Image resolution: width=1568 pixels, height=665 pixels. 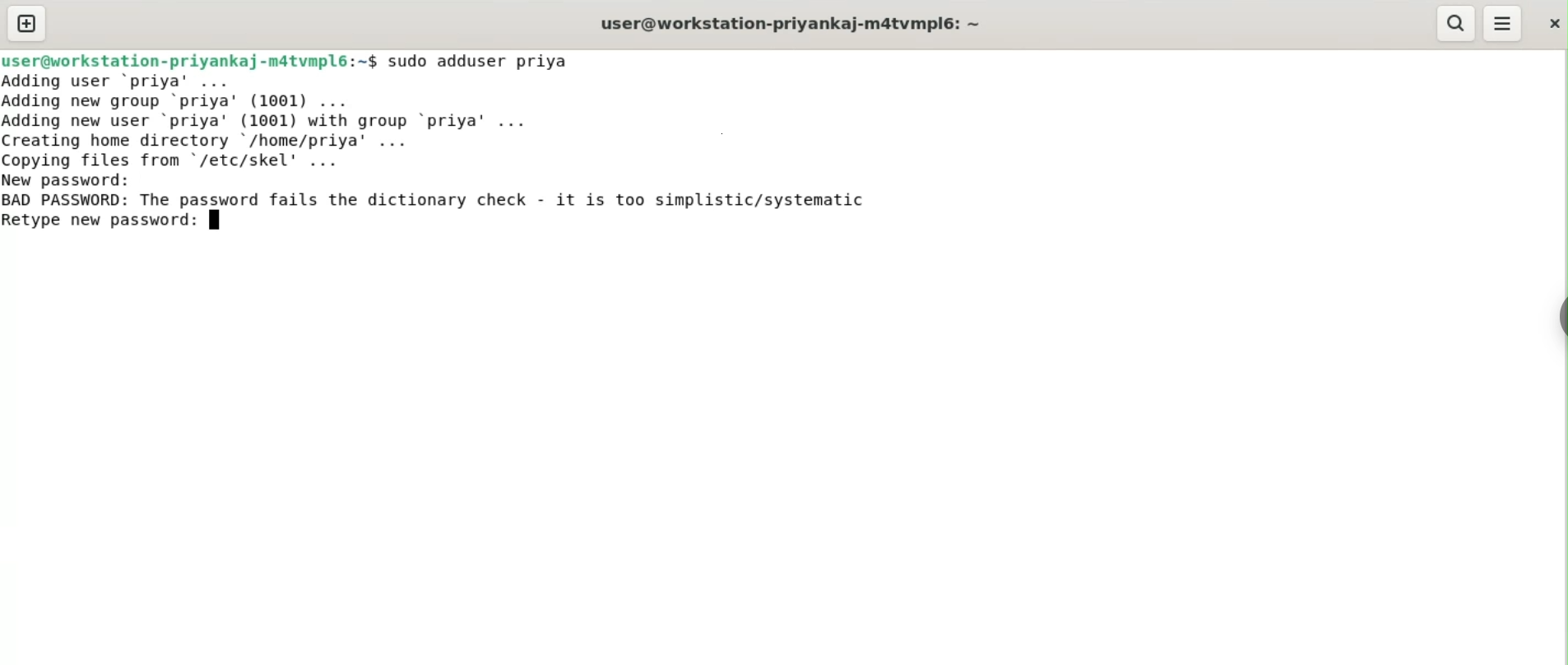 I want to click on menu, so click(x=1504, y=24).